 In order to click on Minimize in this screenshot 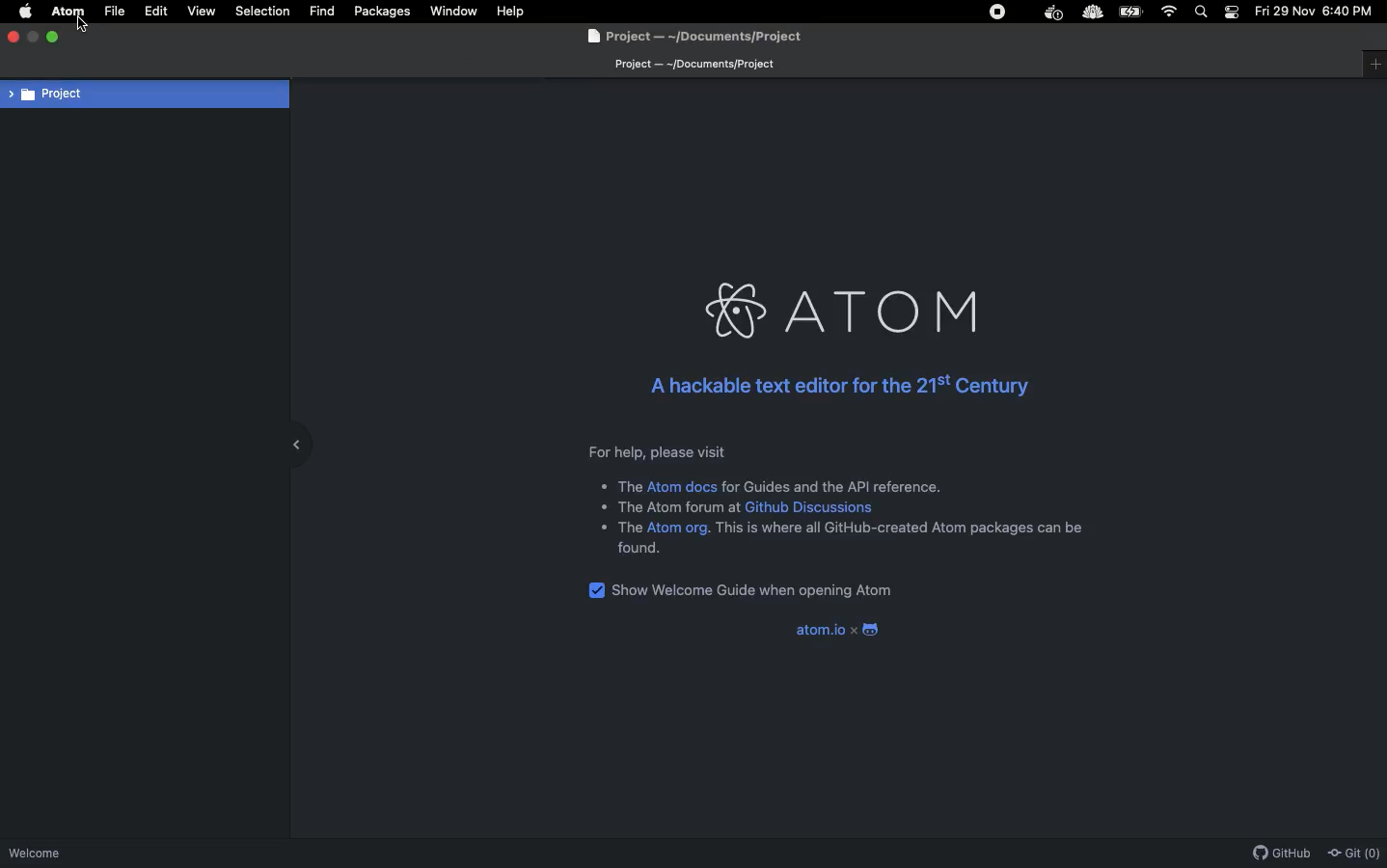, I will do `click(33, 35)`.